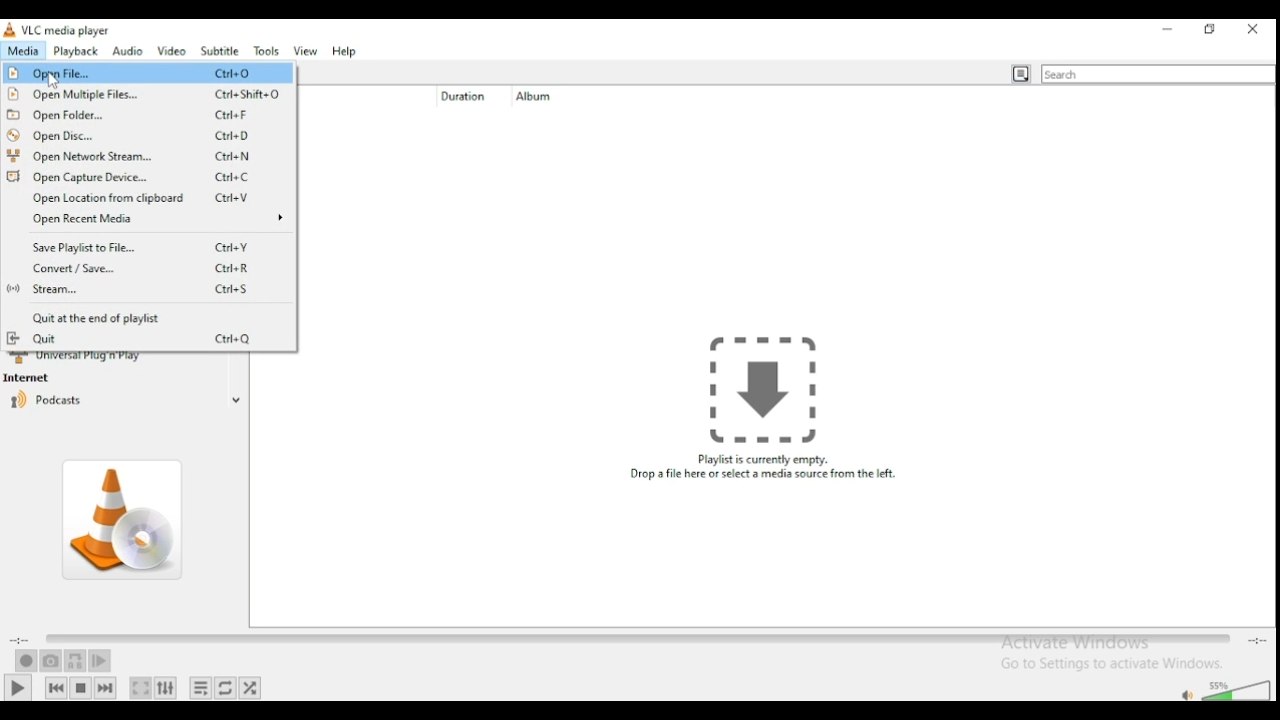 This screenshot has height=720, width=1280. Describe the element at coordinates (100, 660) in the screenshot. I see `frame by frame` at that location.